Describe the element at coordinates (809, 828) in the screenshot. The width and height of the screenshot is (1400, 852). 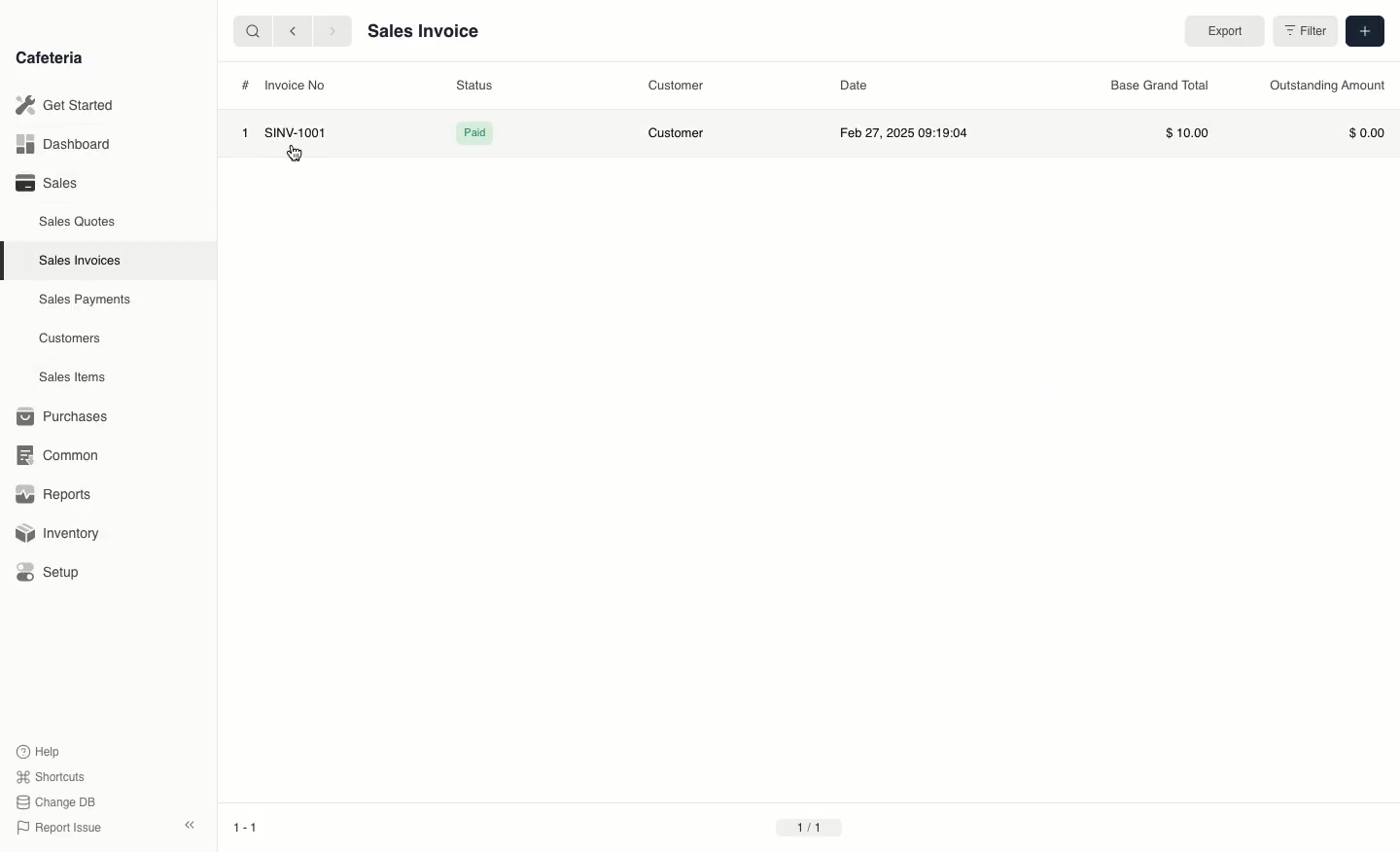
I see `1/1` at that location.